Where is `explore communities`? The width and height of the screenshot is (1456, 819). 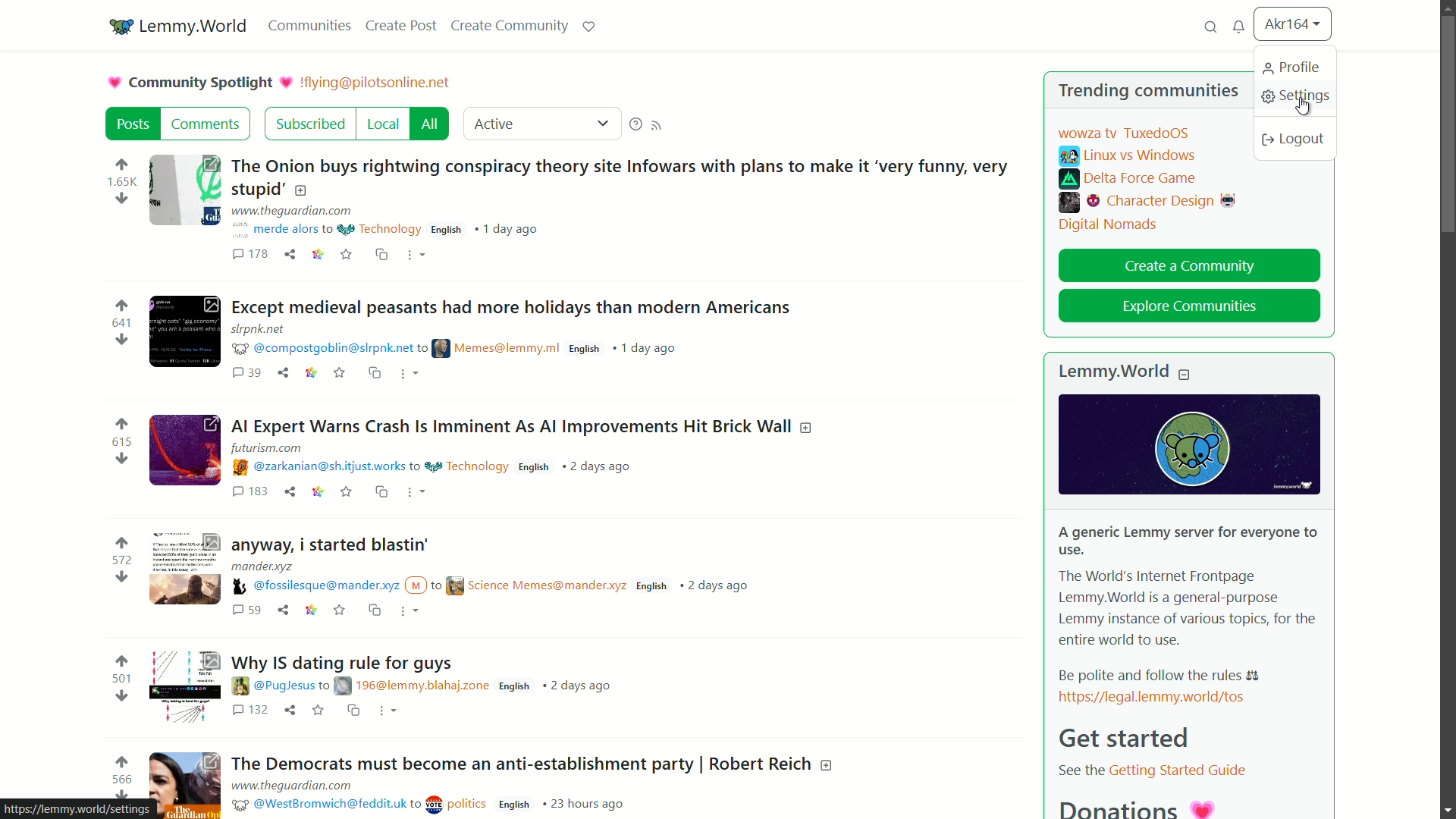
explore communities is located at coordinates (1188, 307).